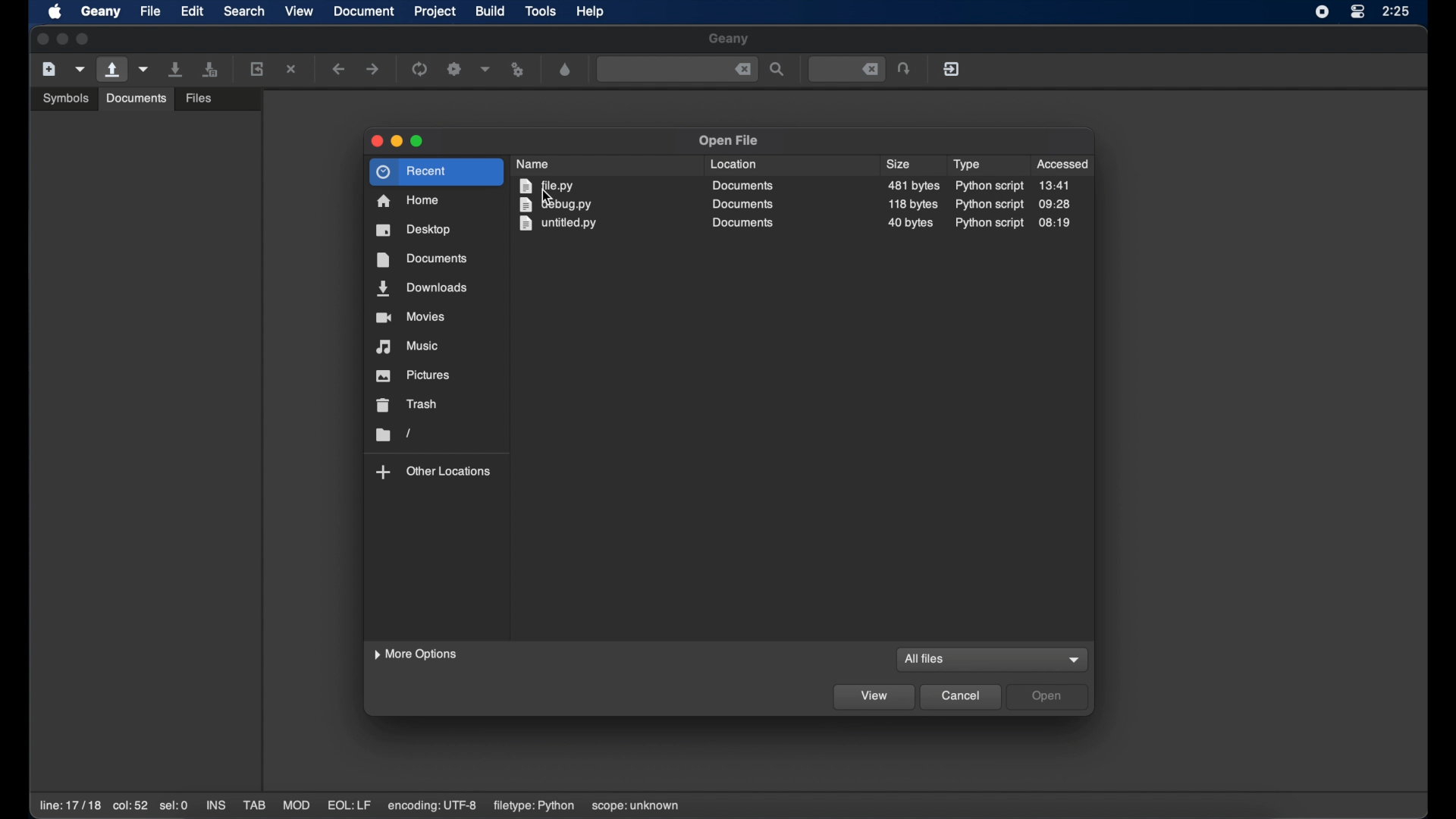 Image resolution: width=1456 pixels, height=819 pixels. Describe the element at coordinates (374, 142) in the screenshot. I see `close` at that location.